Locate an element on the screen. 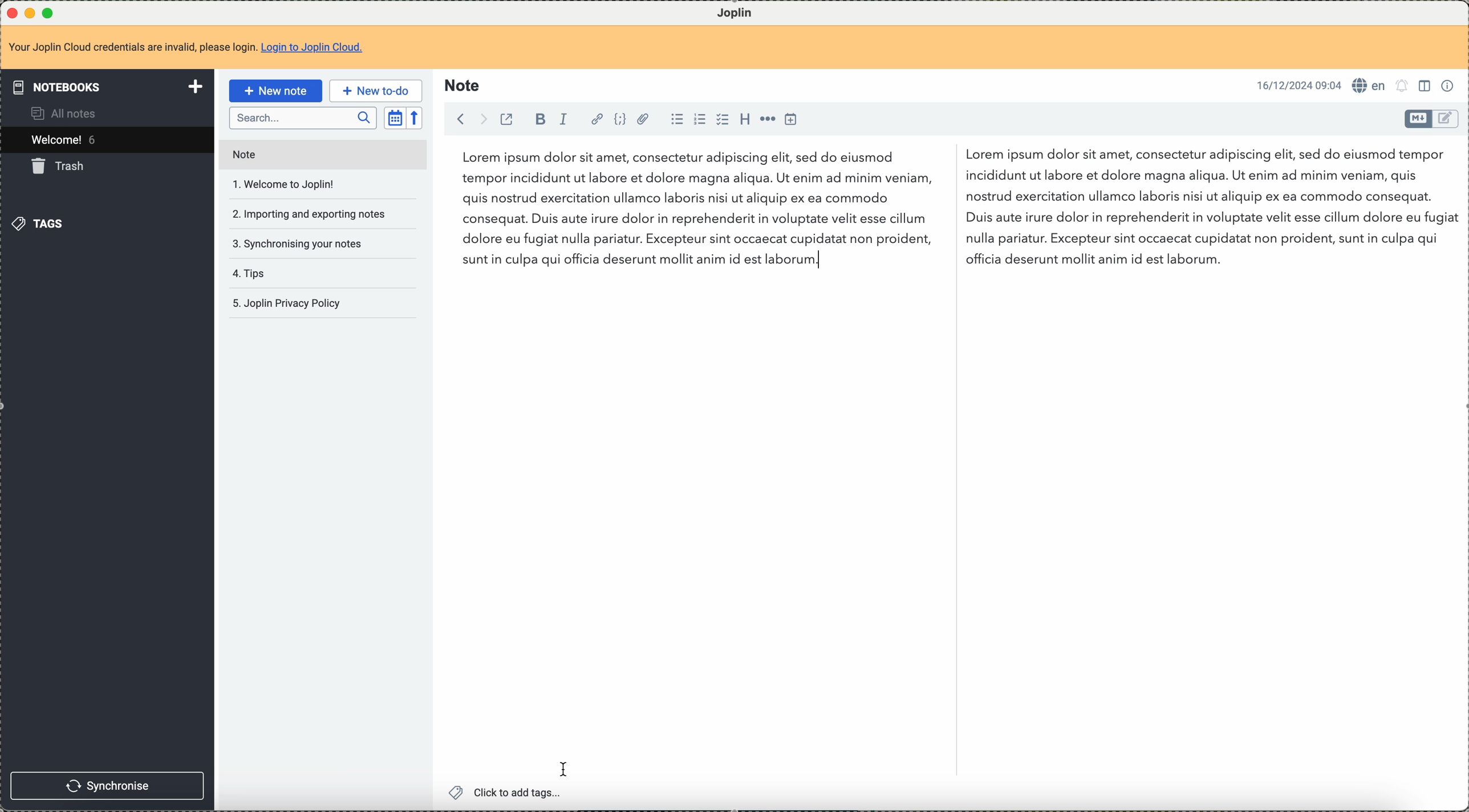 The height and width of the screenshot is (812, 1469). set notifications is located at coordinates (1404, 86).